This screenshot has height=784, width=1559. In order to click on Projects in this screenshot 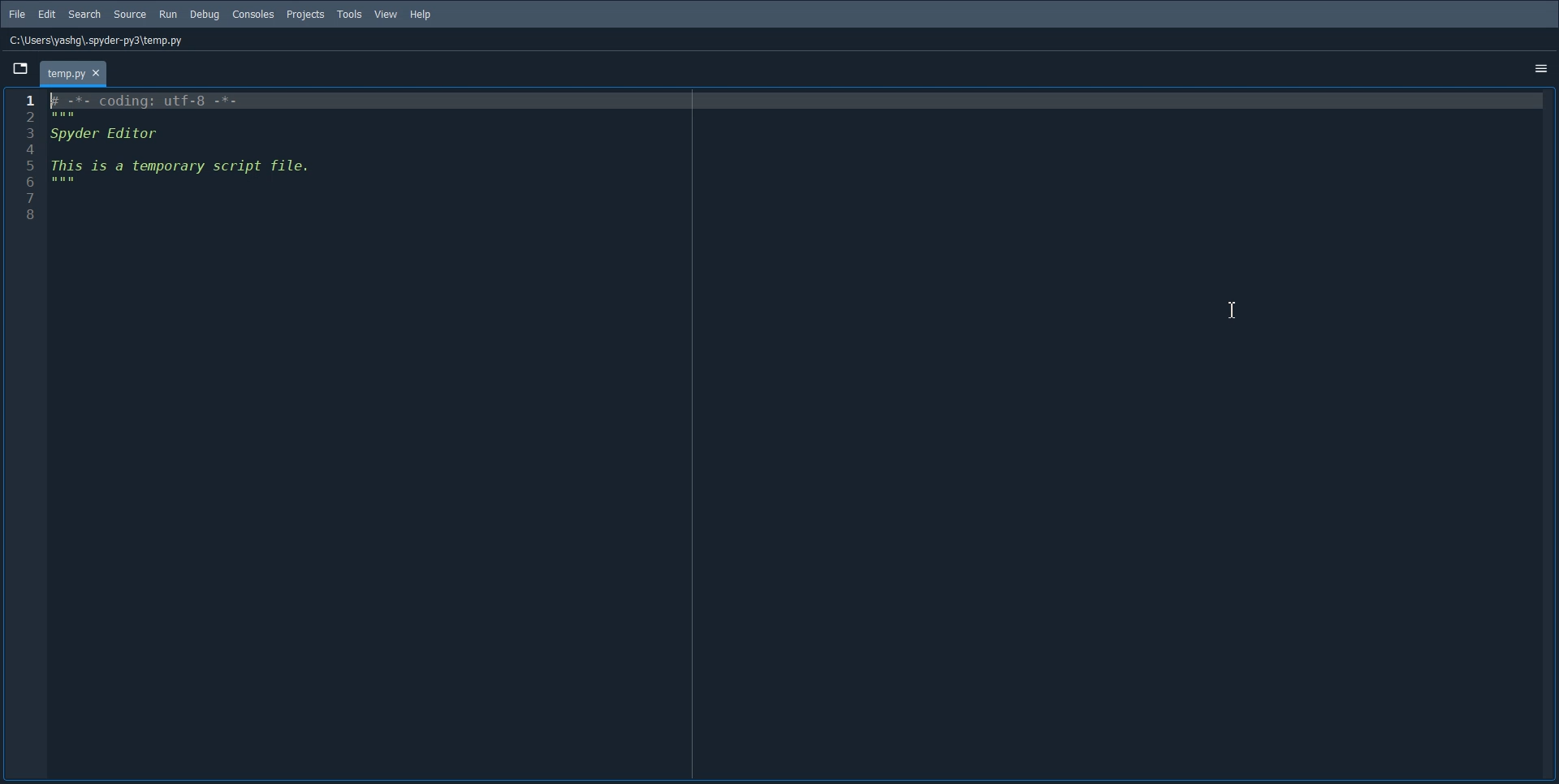, I will do `click(305, 15)`.